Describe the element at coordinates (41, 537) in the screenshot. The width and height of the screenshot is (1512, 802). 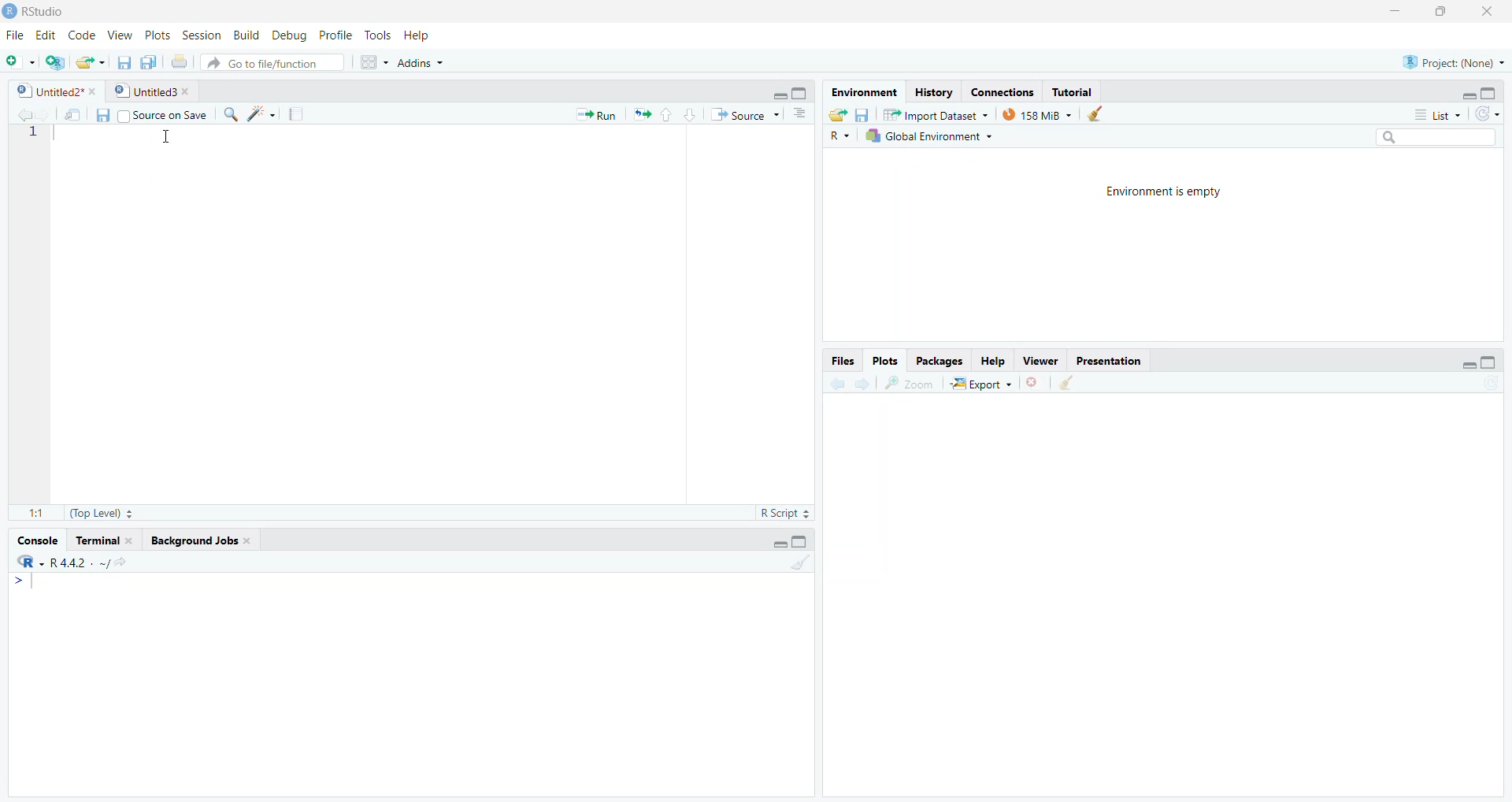
I see `Console` at that location.